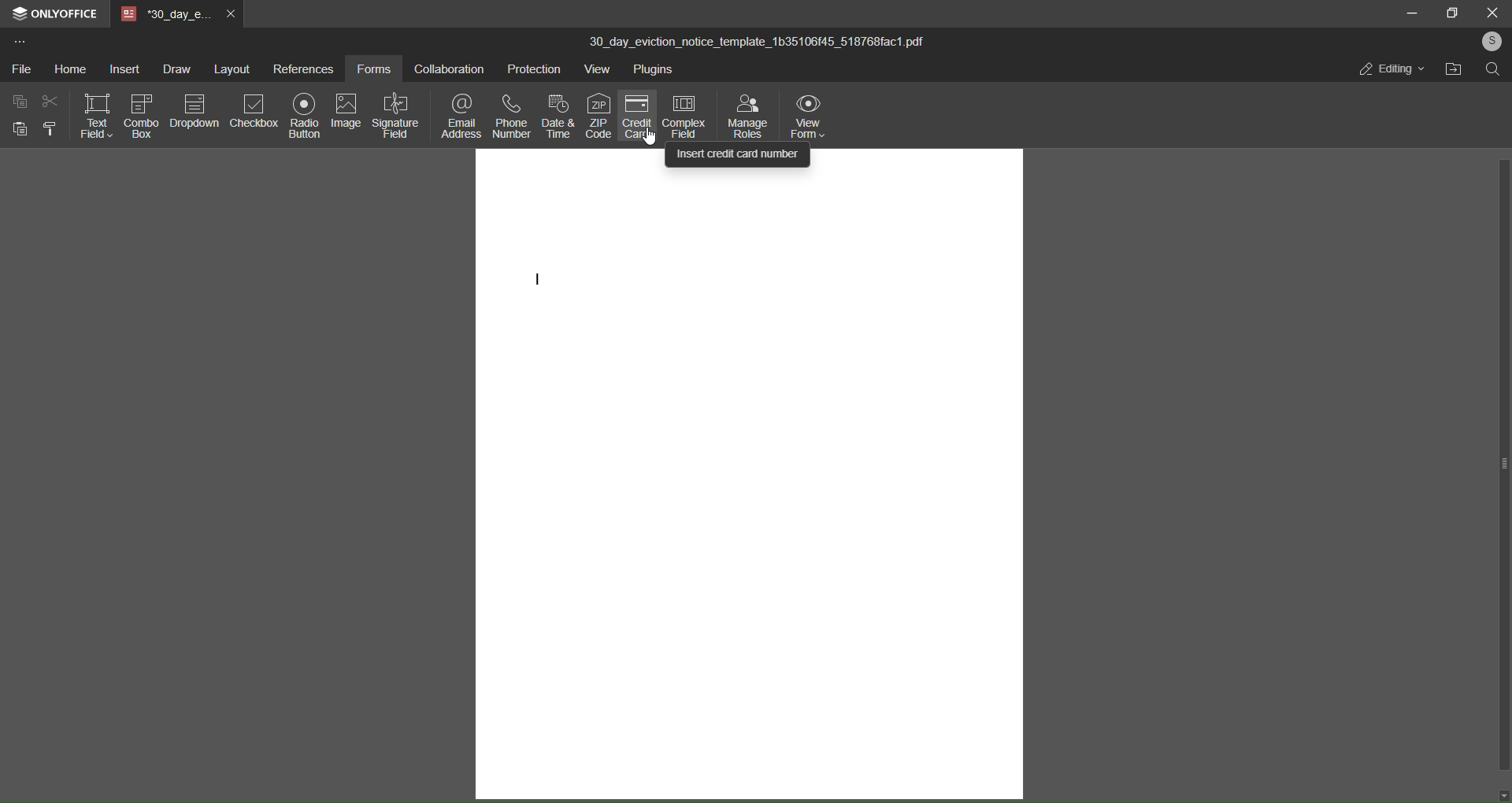 Image resolution: width=1512 pixels, height=803 pixels. What do you see at coordinates (598, 116) in the screenshot?
I see `zip code` at bounding box center [598, 116].